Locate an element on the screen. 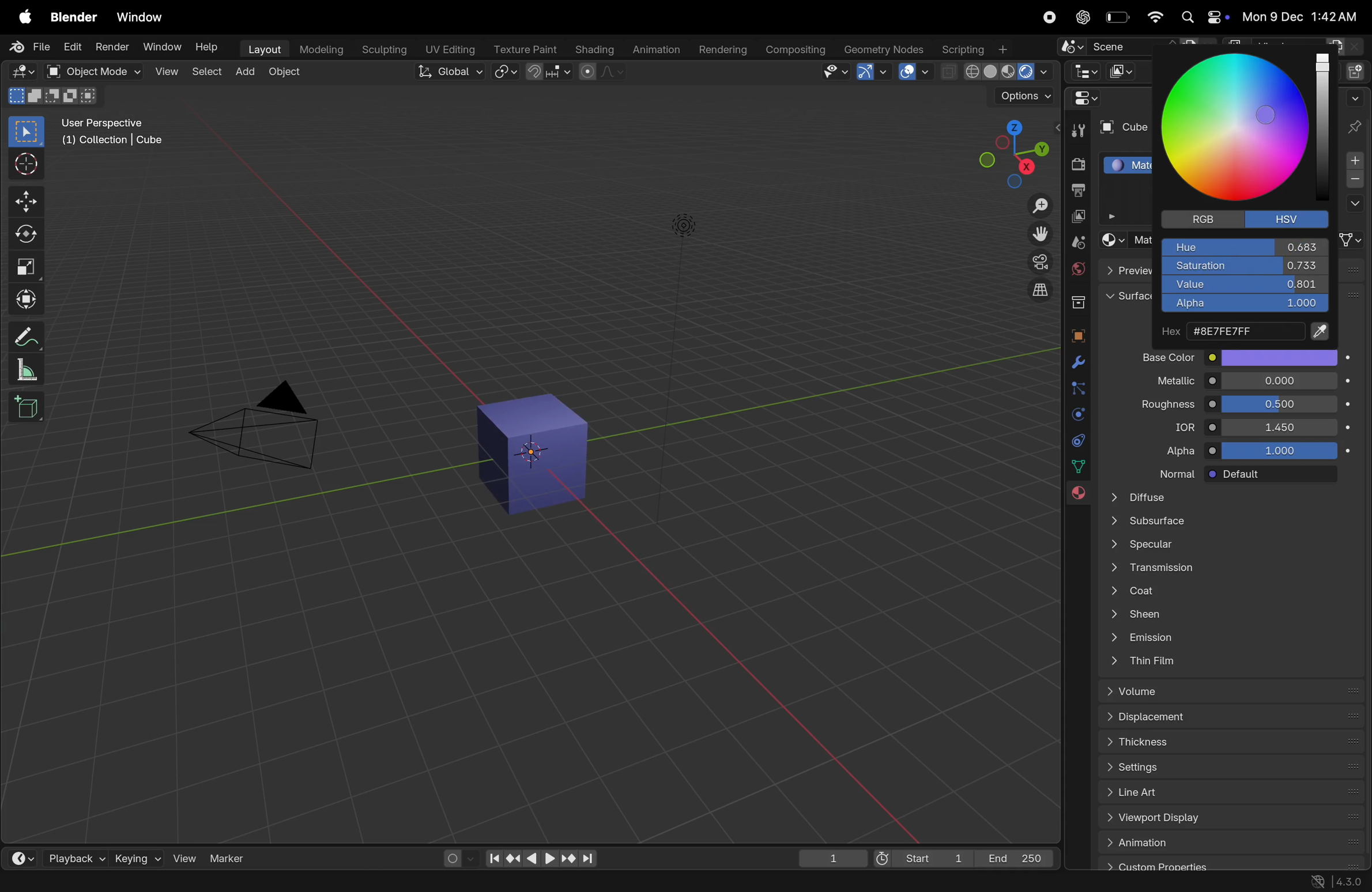  perspective camera is located at coordinates (261, 428).